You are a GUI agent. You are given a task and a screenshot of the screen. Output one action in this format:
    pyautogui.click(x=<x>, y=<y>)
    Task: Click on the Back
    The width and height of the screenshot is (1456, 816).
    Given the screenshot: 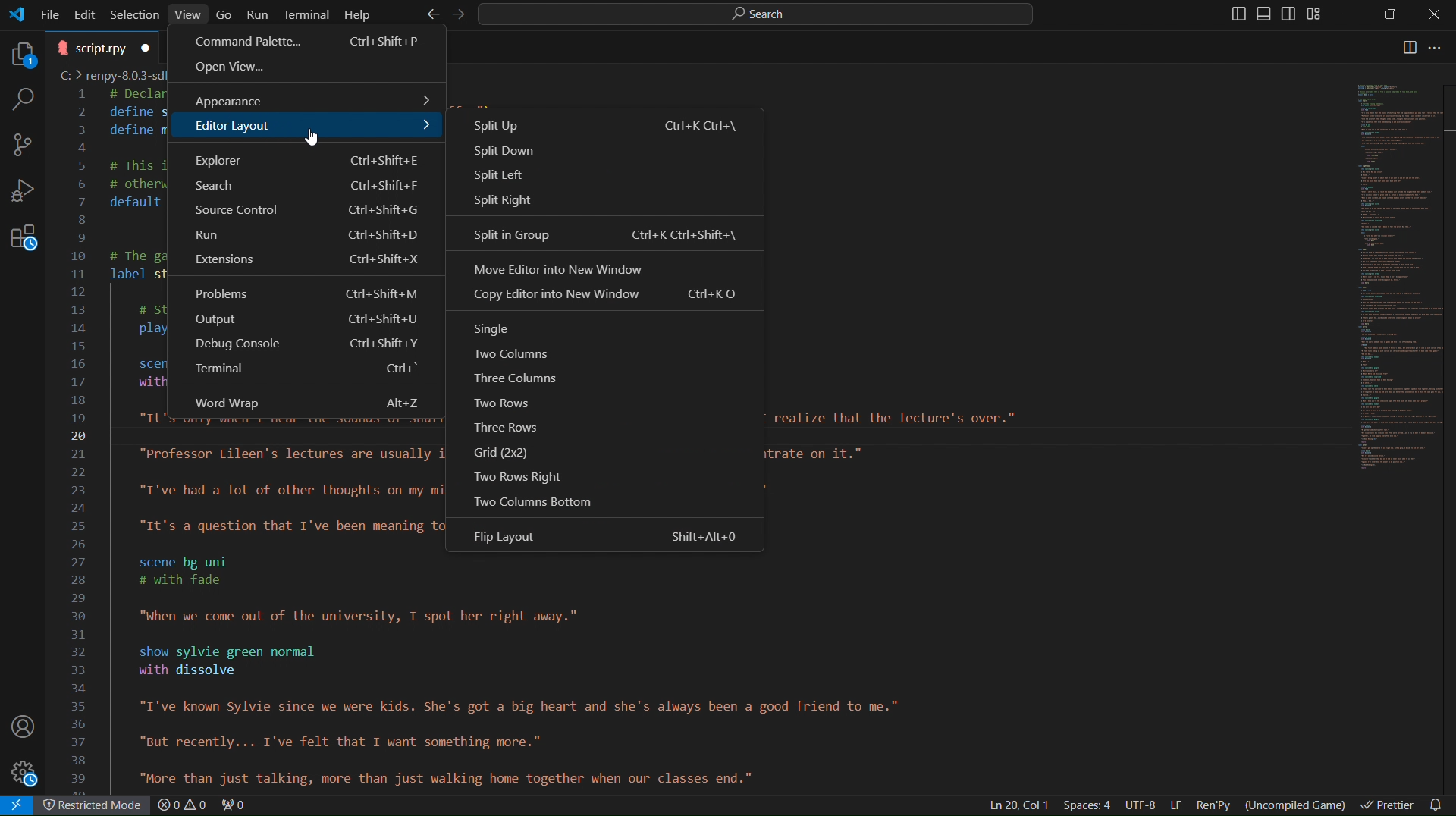 What is the action you would take?
    pyautogui.click(x=430, y=14)
    